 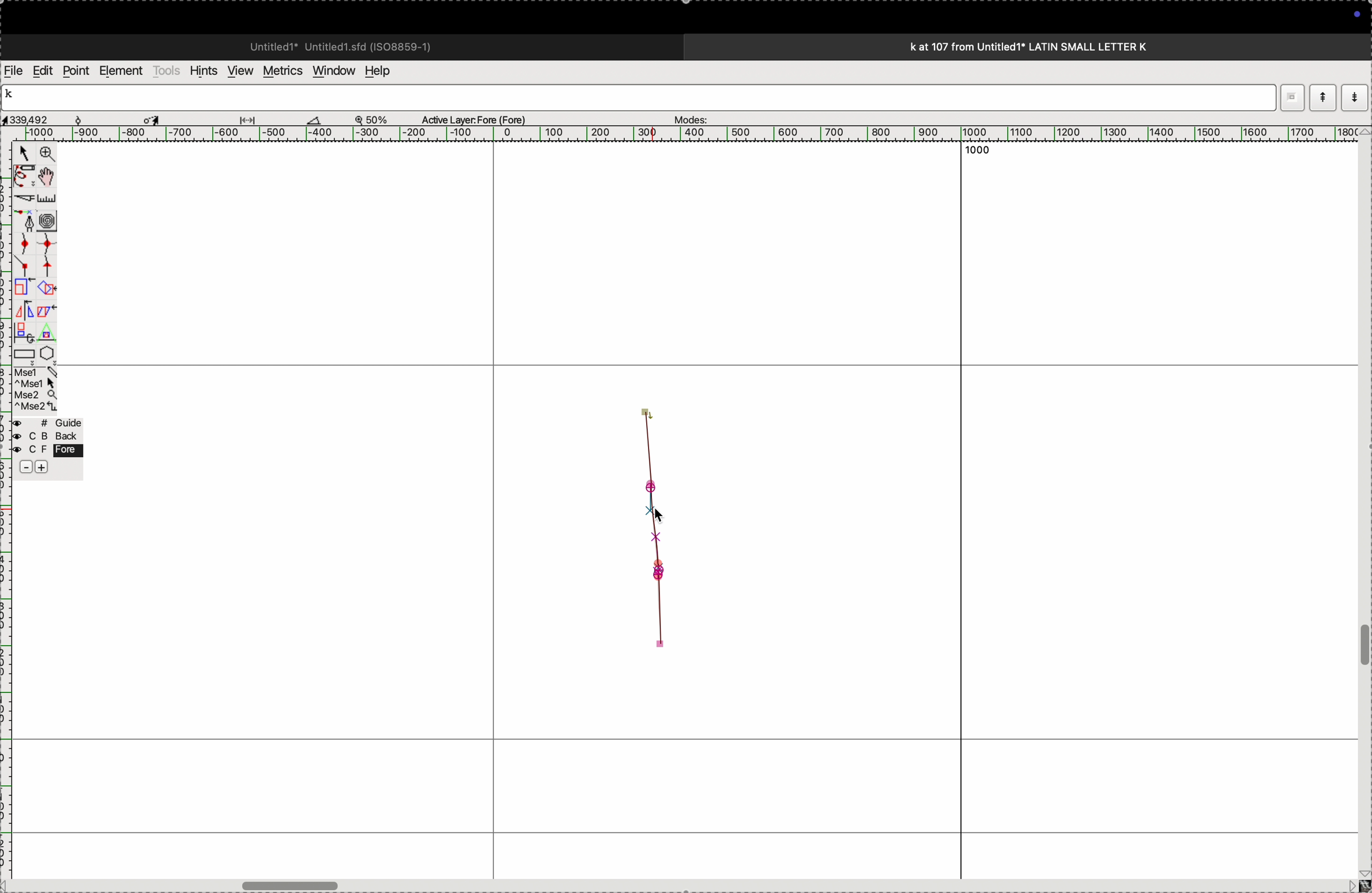 What do you see at coordinates (47, 446) in the screenshot?
I see `Guide` at bounding box center [47, 446].